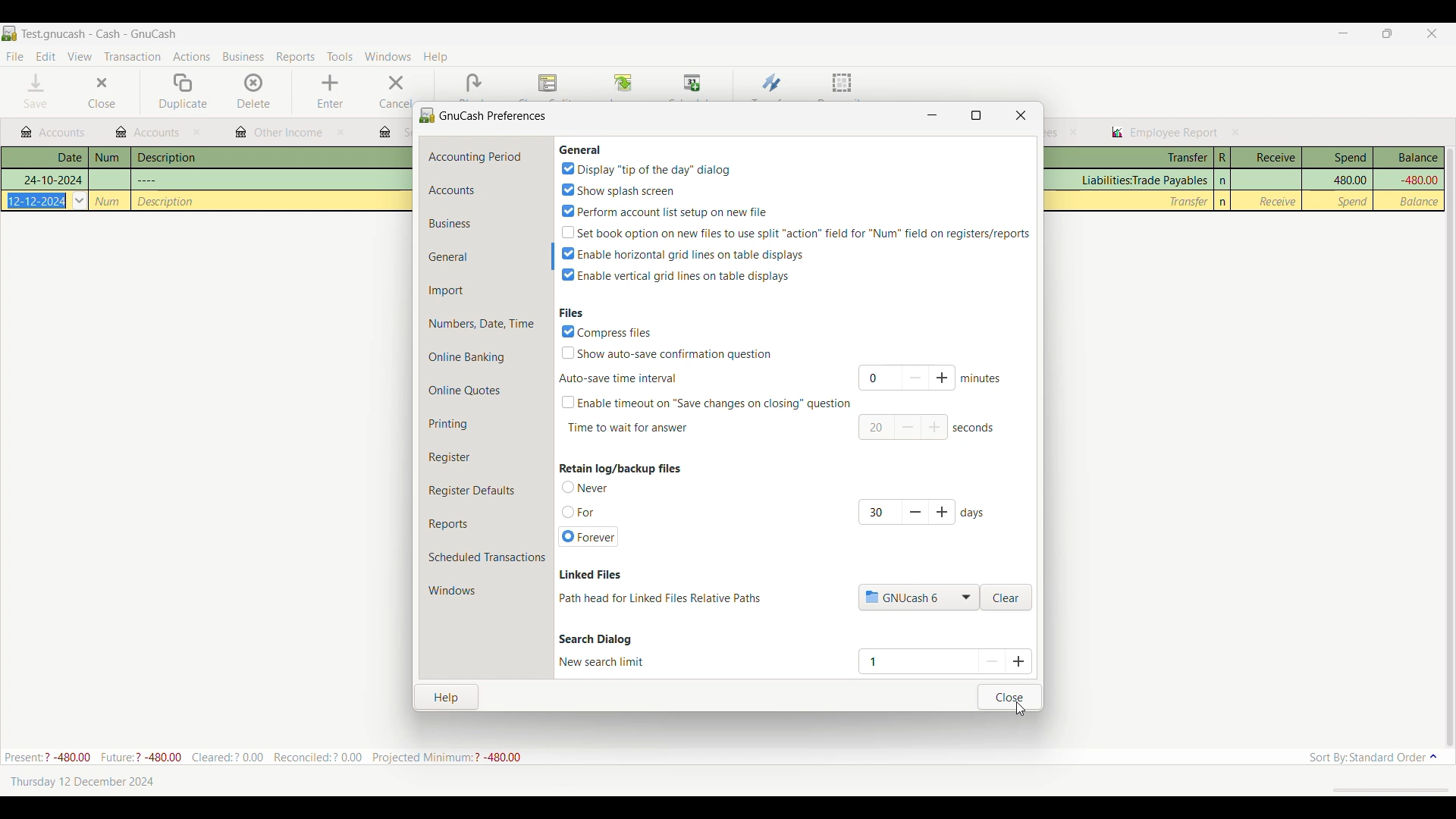  I want to click on Balance column, so click(1417, 180).